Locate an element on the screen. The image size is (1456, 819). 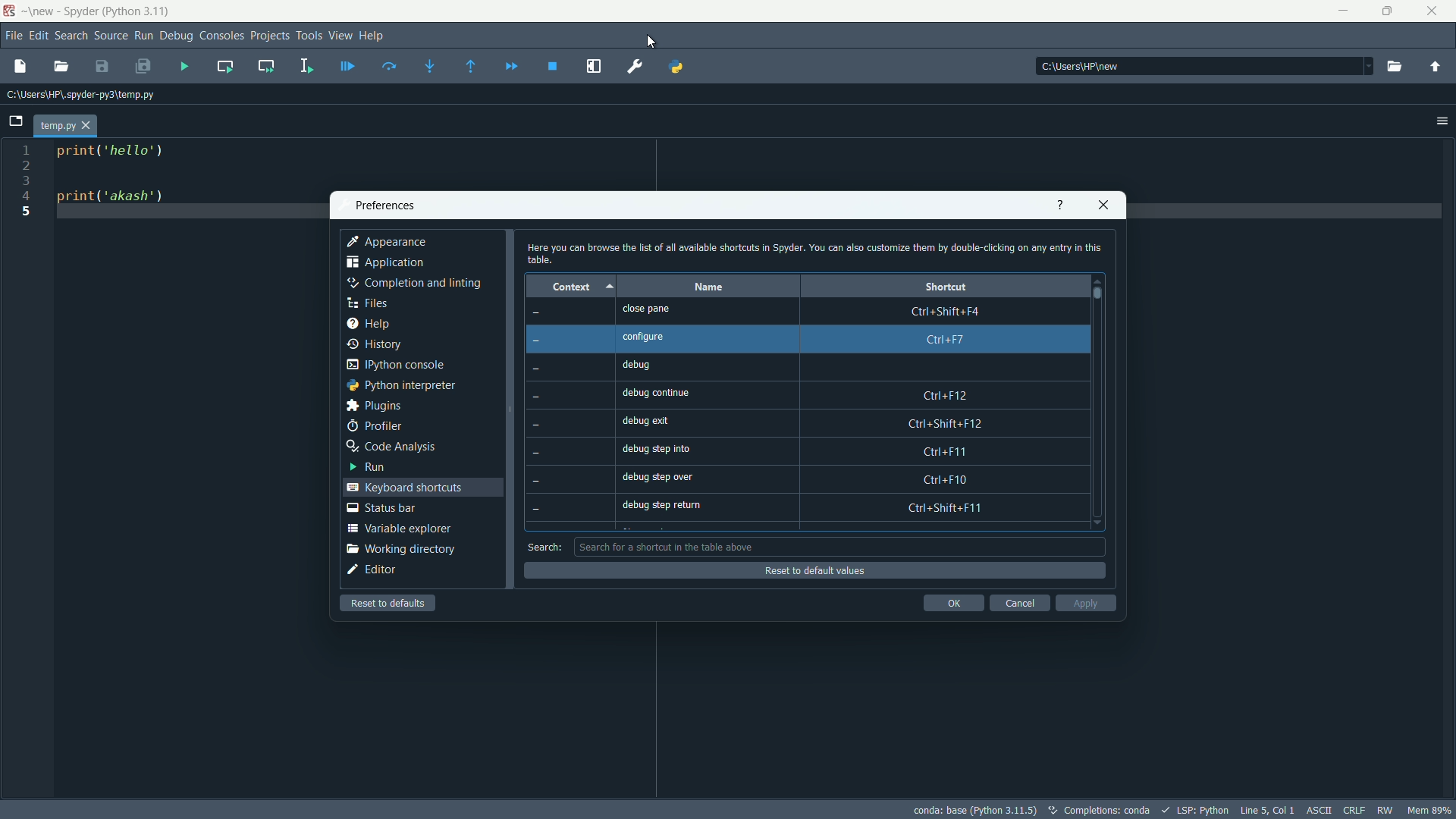
file menu is located at coordinates (15, 36).